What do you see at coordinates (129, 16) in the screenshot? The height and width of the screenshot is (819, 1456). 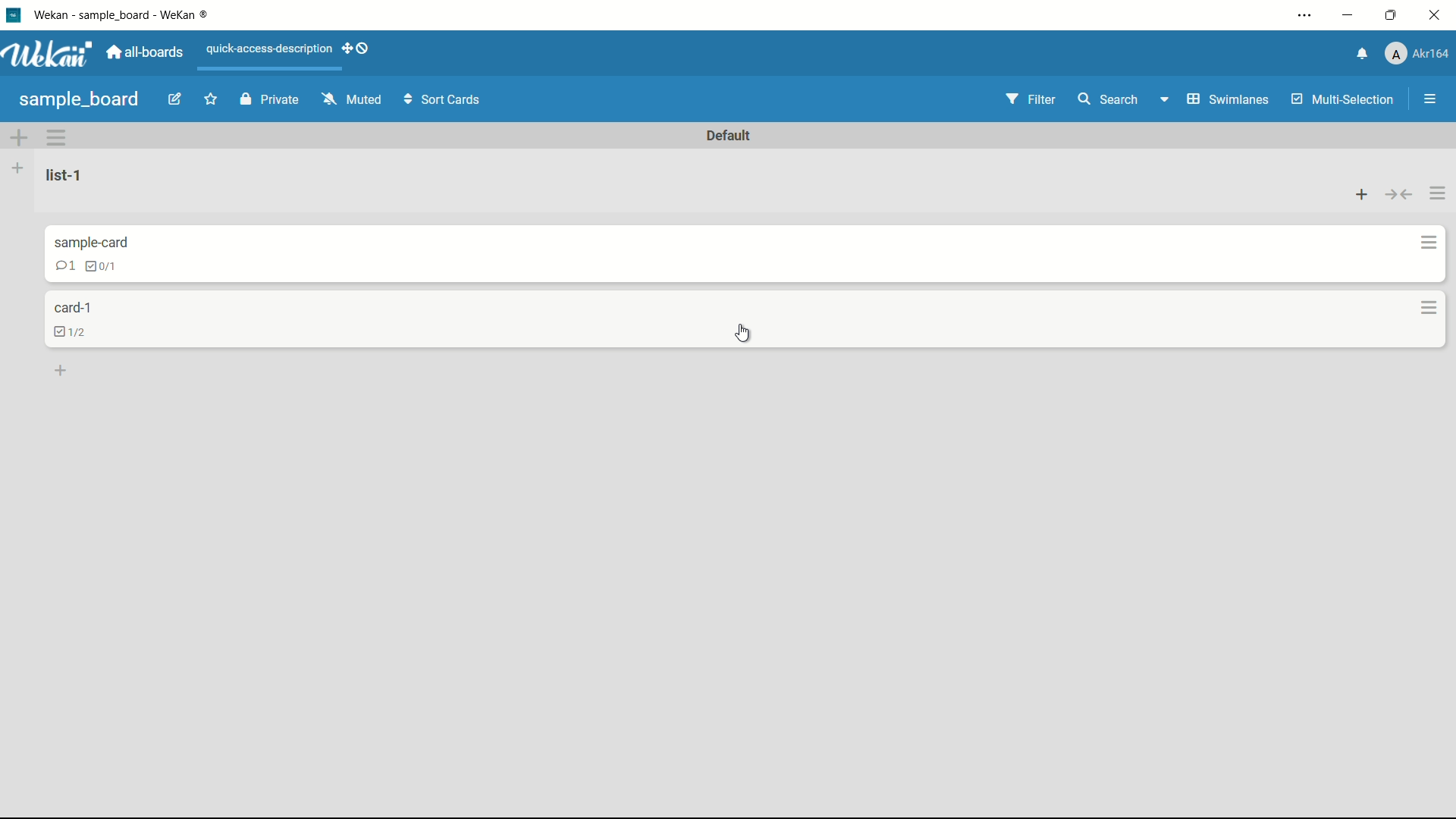 I see `Wekan - sample board - weaken` at bounding box center [129, 16].